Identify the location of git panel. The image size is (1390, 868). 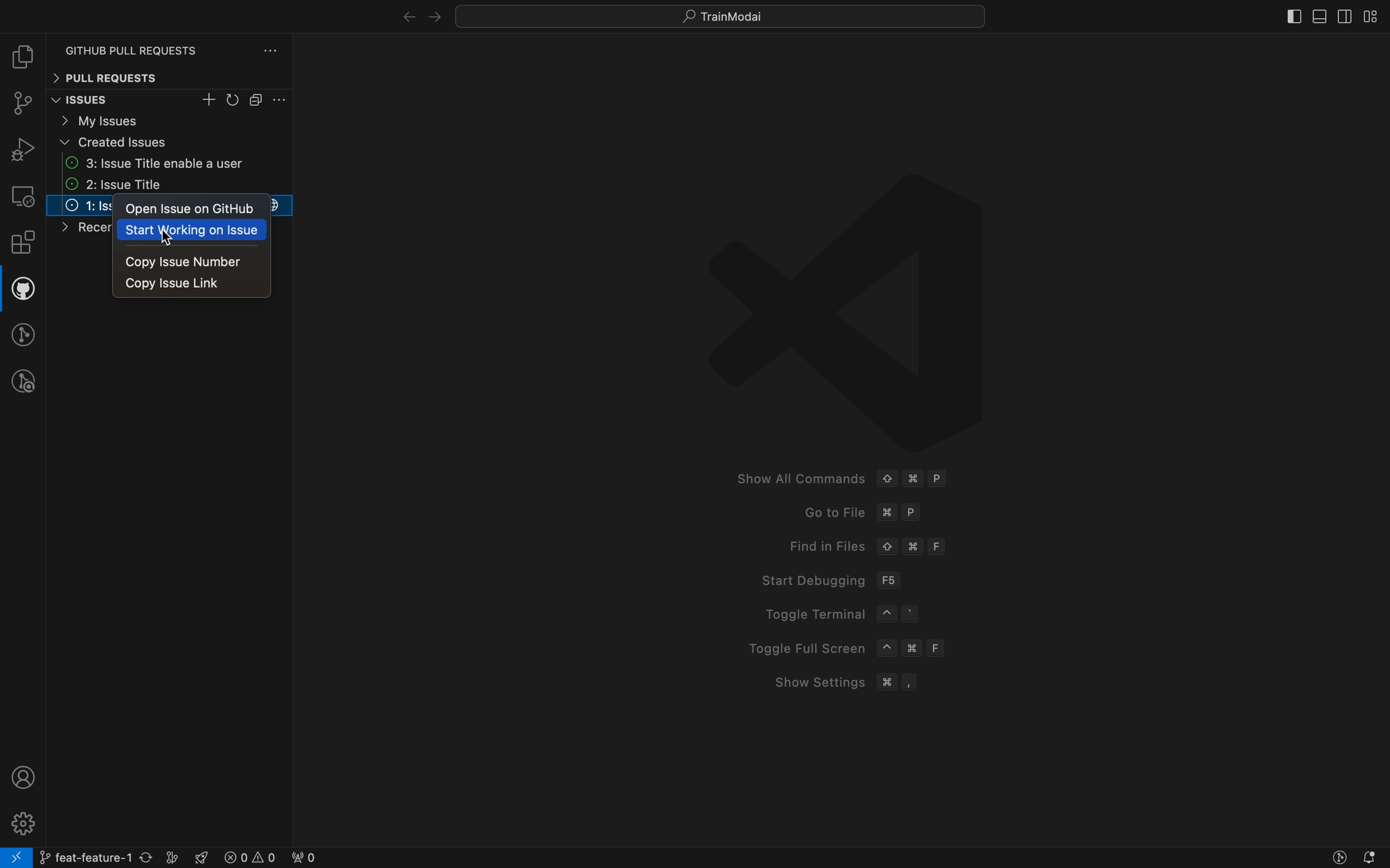
(24, 105).